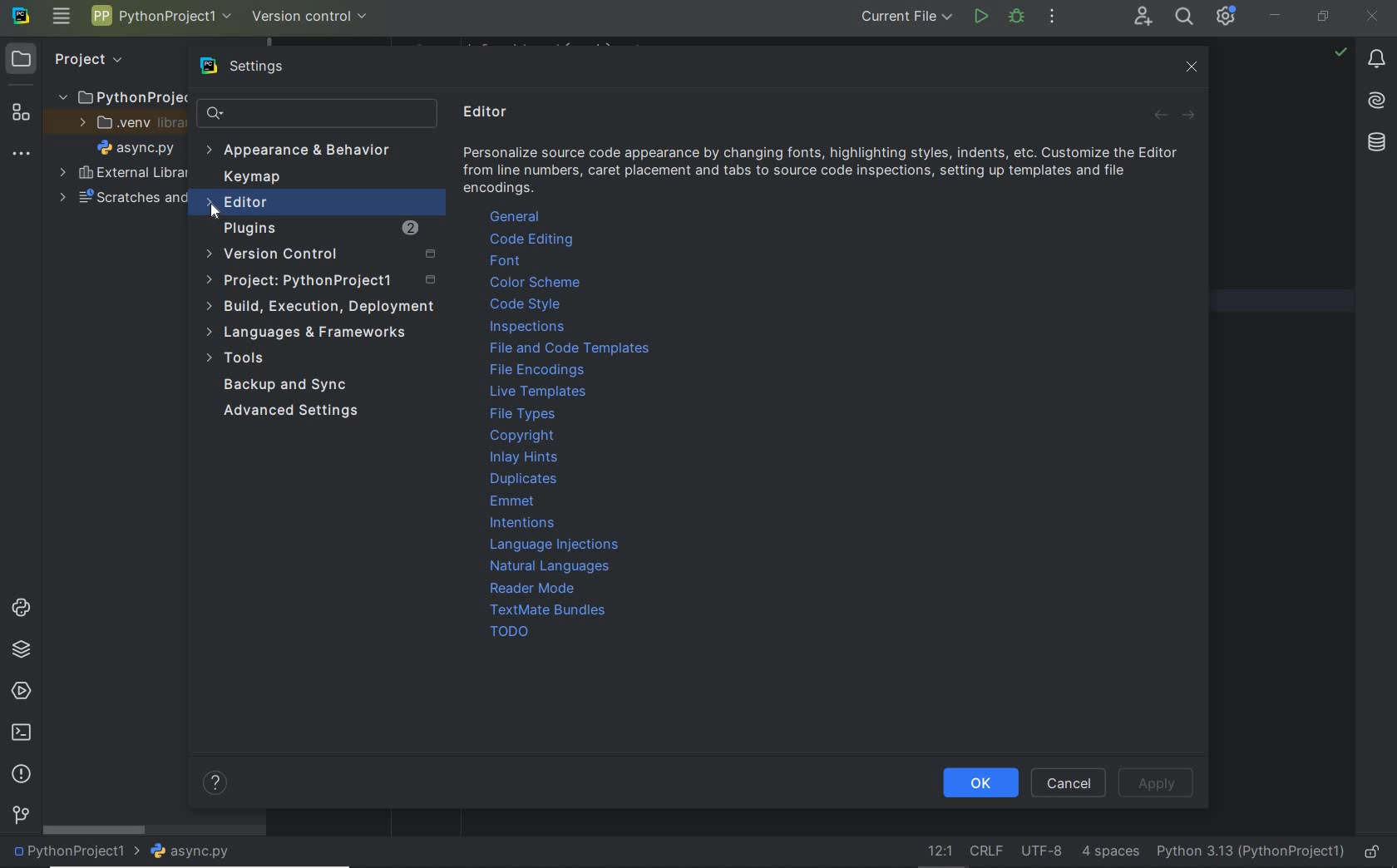  I want to click on indent, so click(1108, 852).